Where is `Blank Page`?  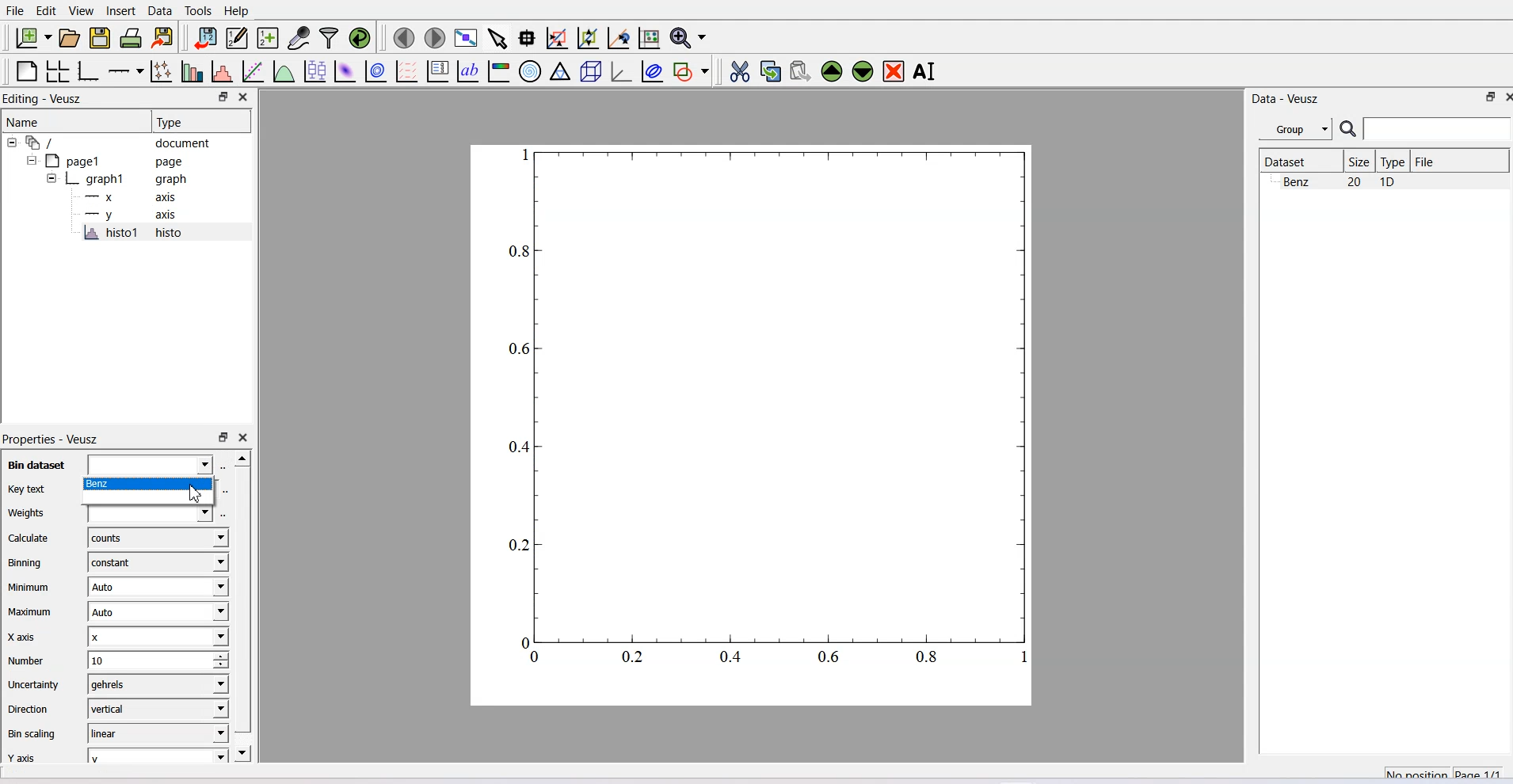
Blank Page is located at coordinates (25, 71).